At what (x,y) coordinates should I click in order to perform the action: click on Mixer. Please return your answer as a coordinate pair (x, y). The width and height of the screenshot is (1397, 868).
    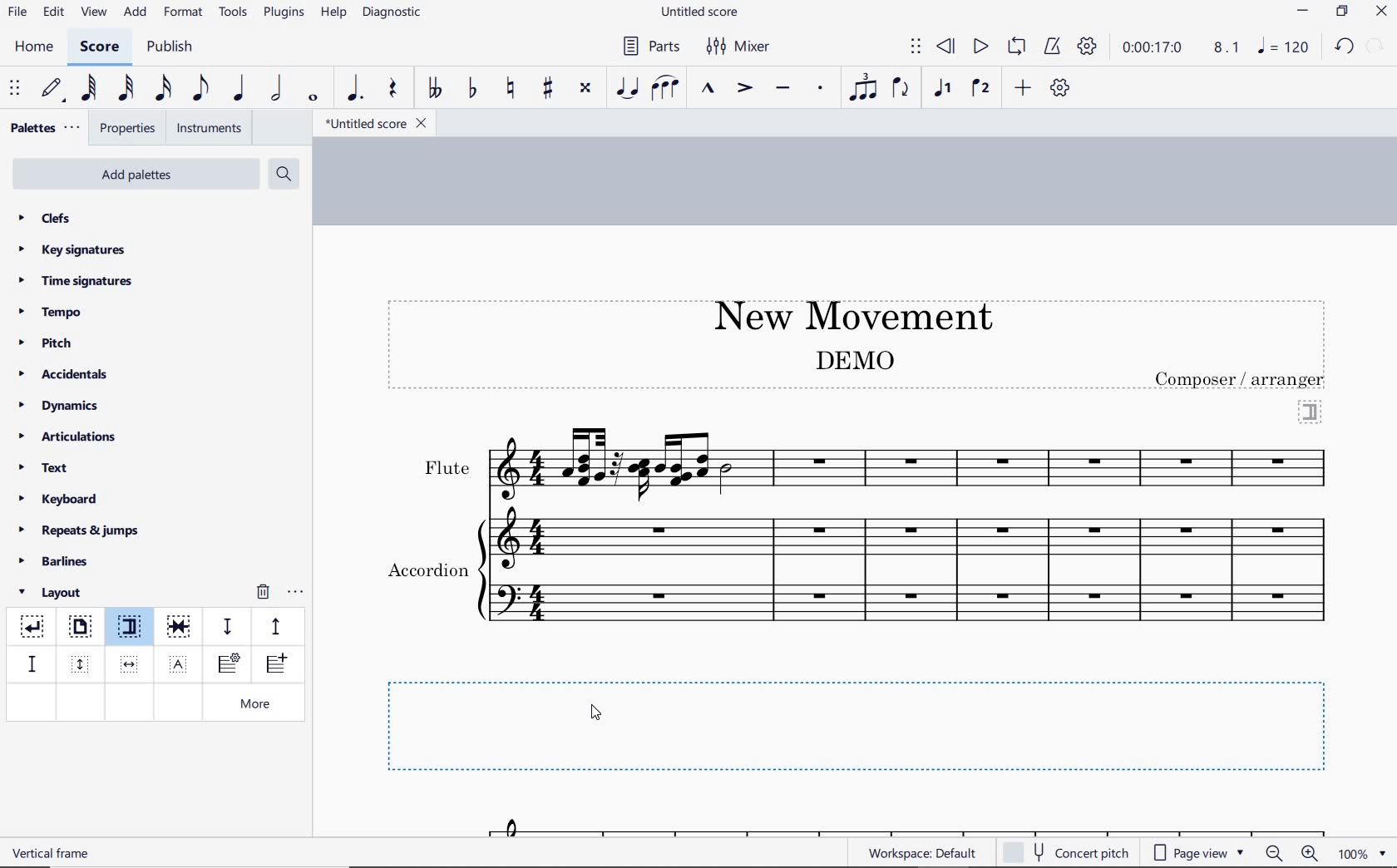
    Looking at the image, I should click on (739, 47).